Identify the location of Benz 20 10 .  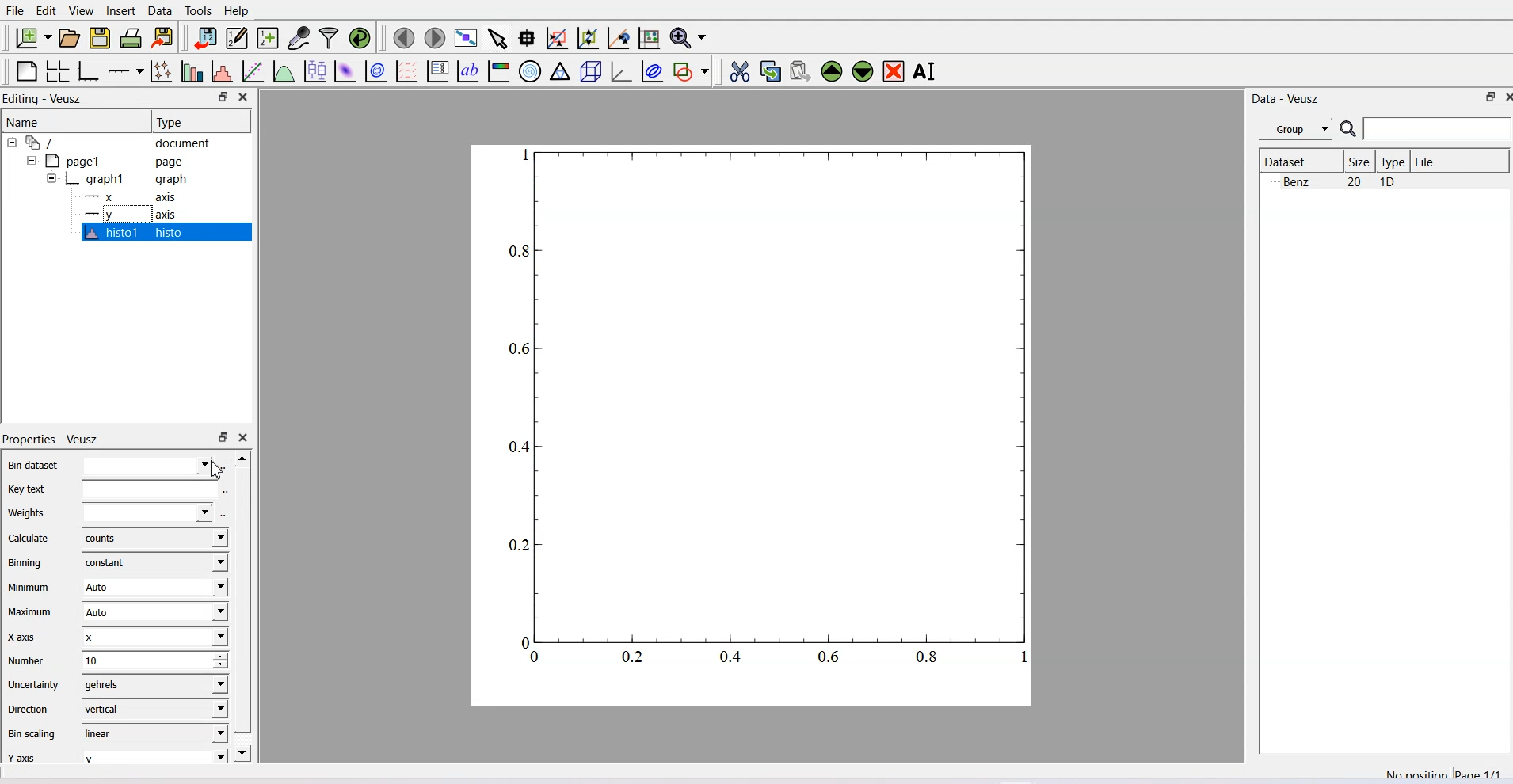
(1340, 181).